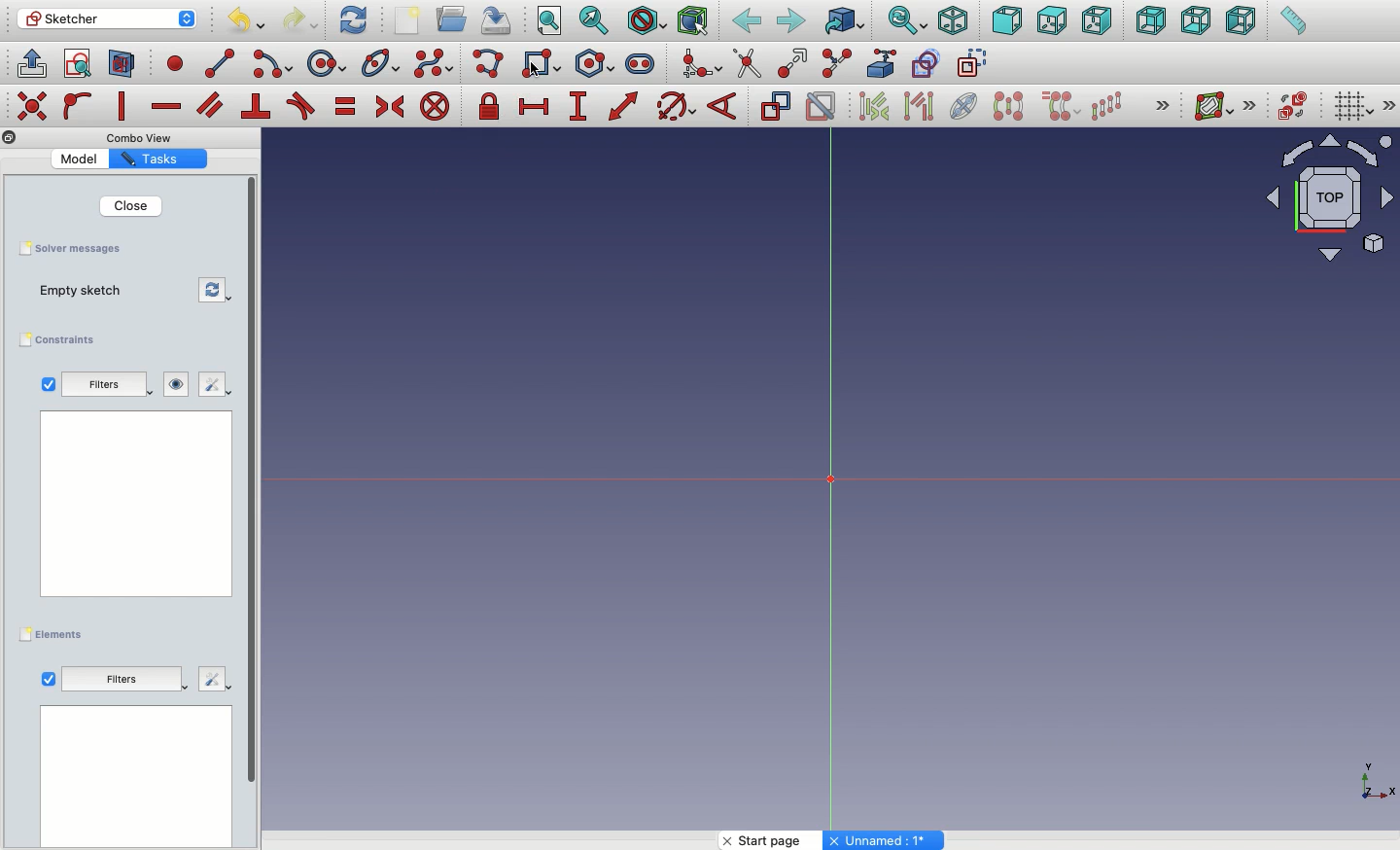 This screenshot has width=1400, height=850. I want to click on constrain vertically , so click(126, 107).